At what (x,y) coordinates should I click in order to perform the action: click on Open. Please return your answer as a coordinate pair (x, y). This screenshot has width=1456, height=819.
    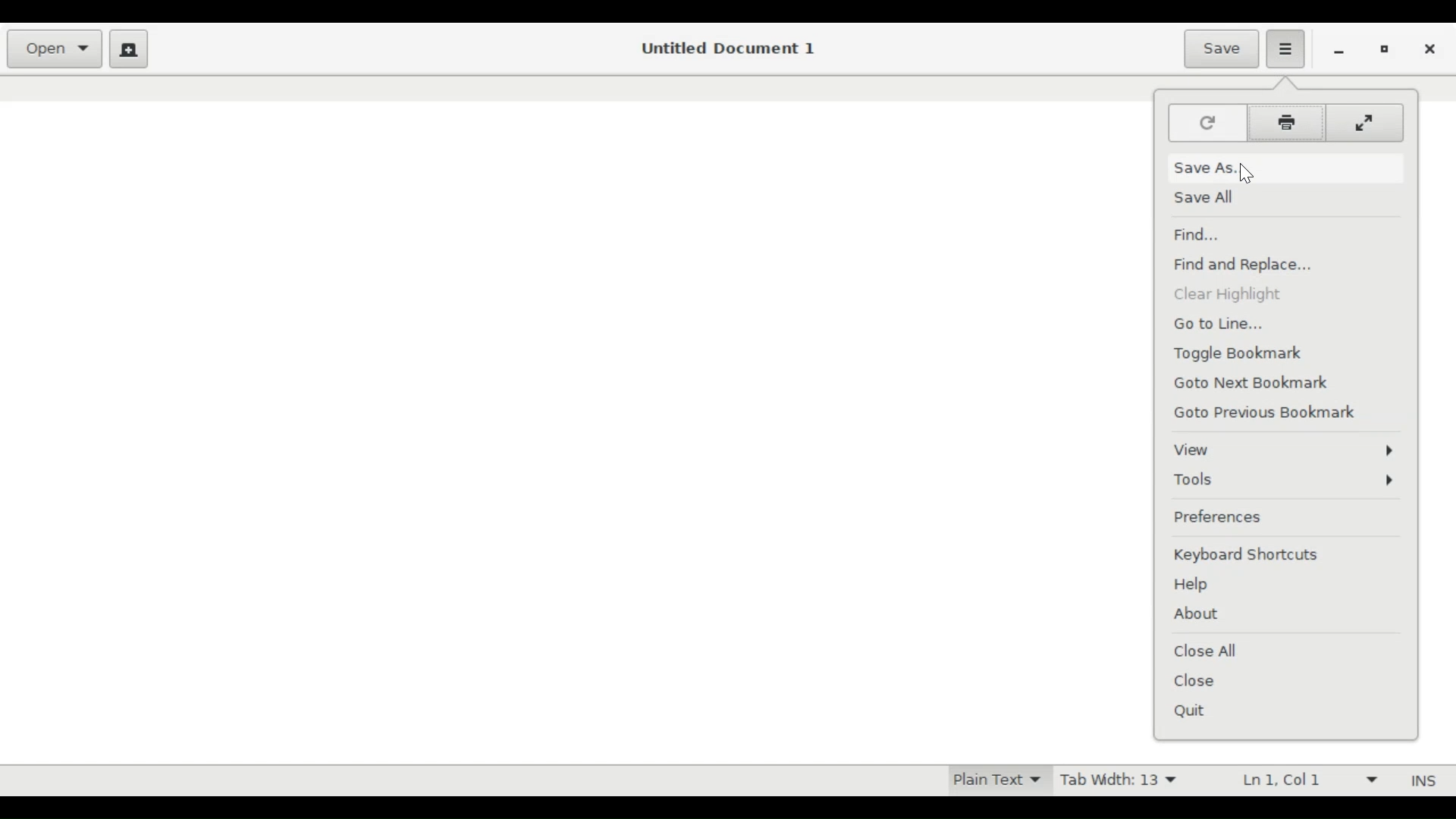
    Looking at the image, I should click on (56, 49).